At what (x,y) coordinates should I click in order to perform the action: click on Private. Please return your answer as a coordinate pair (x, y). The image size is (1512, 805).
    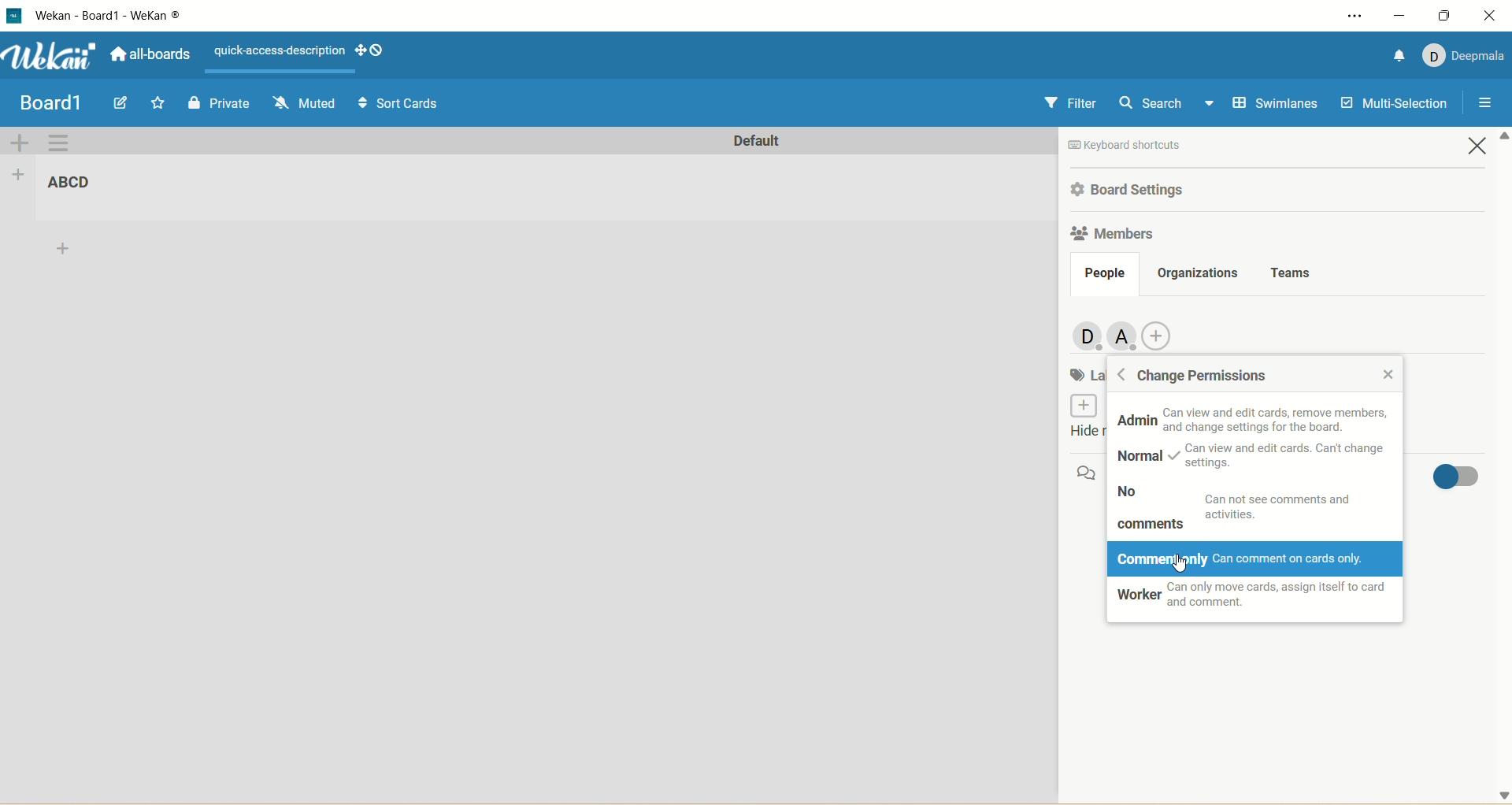
    Looking at the image, I should click on (220, 102).